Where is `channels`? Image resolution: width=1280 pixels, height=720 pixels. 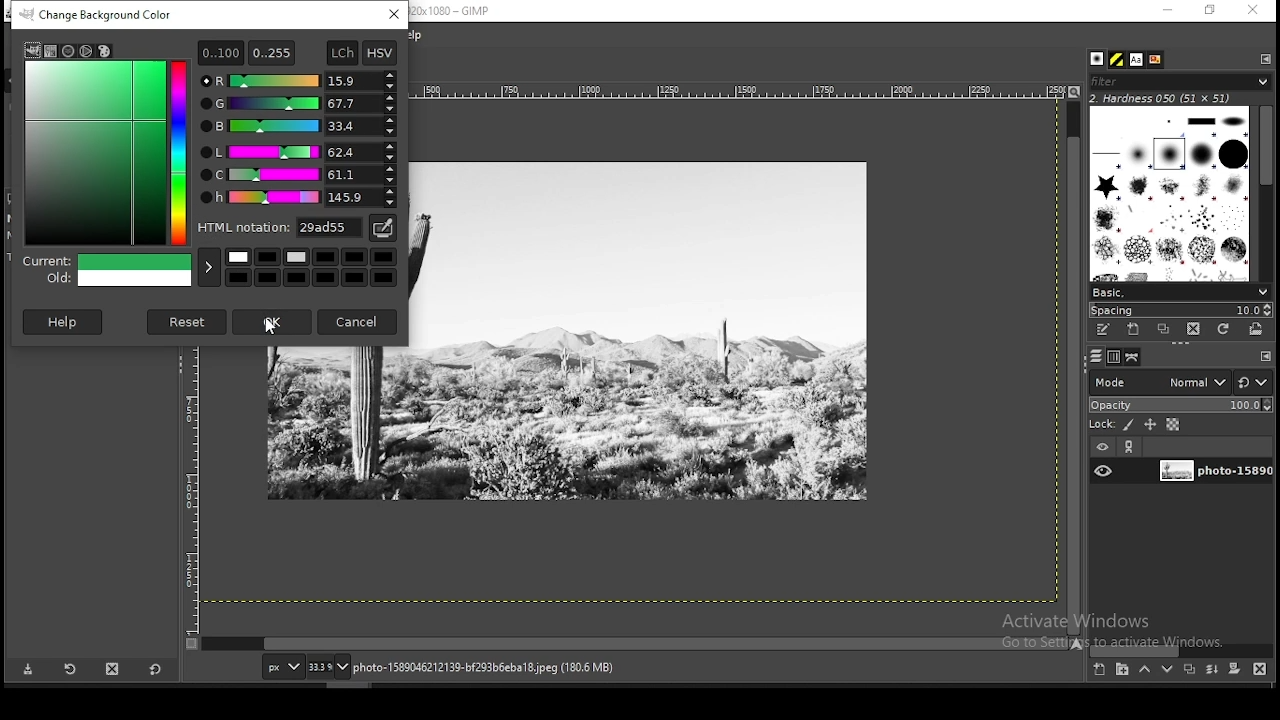 channels is located at coordinates (1116, 357).